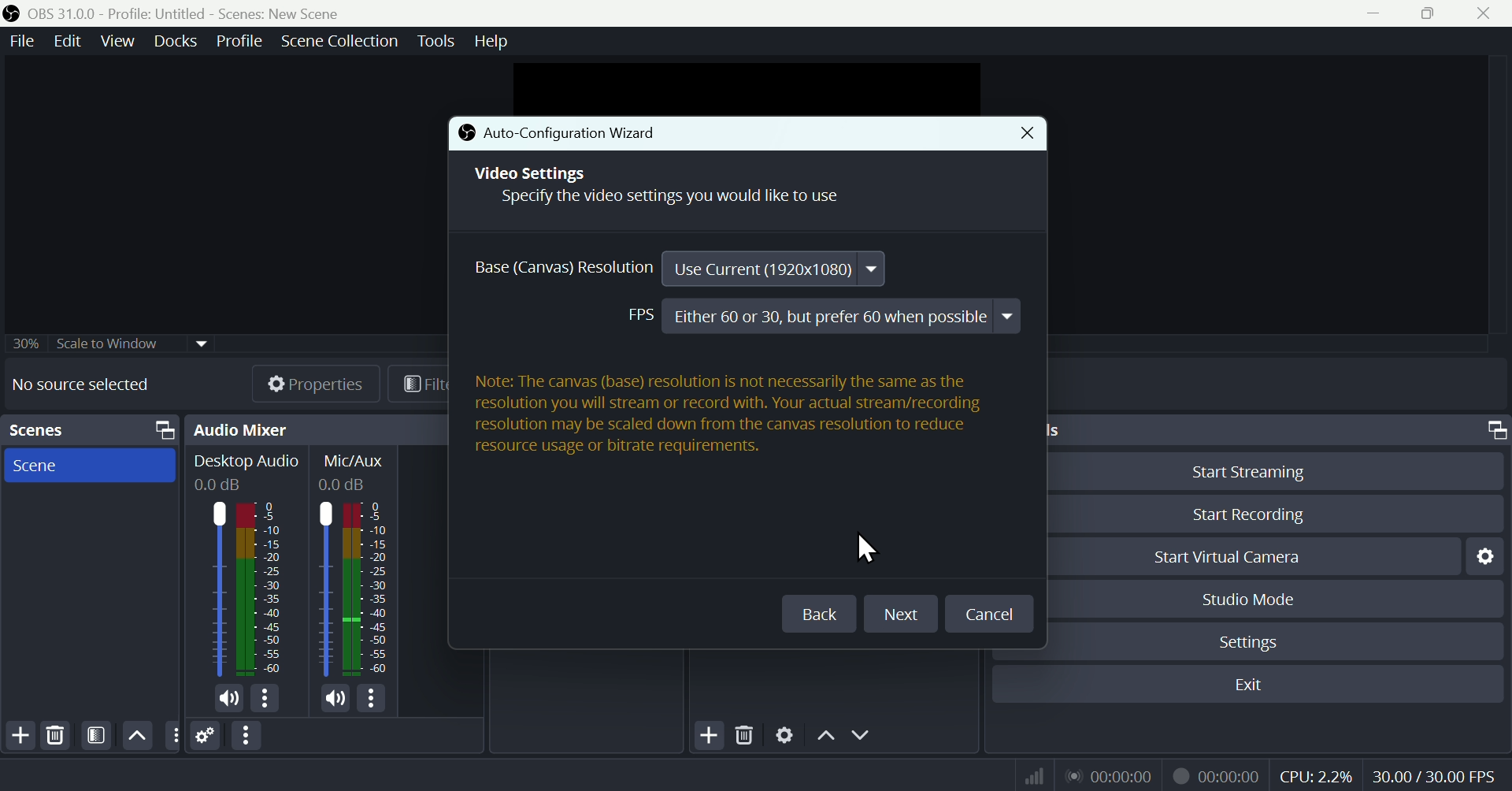 The width and height of the screenshot is (1512, 791). Describe the element at coordinates (864, 734) in the screenshot. I see `Down` at that location.